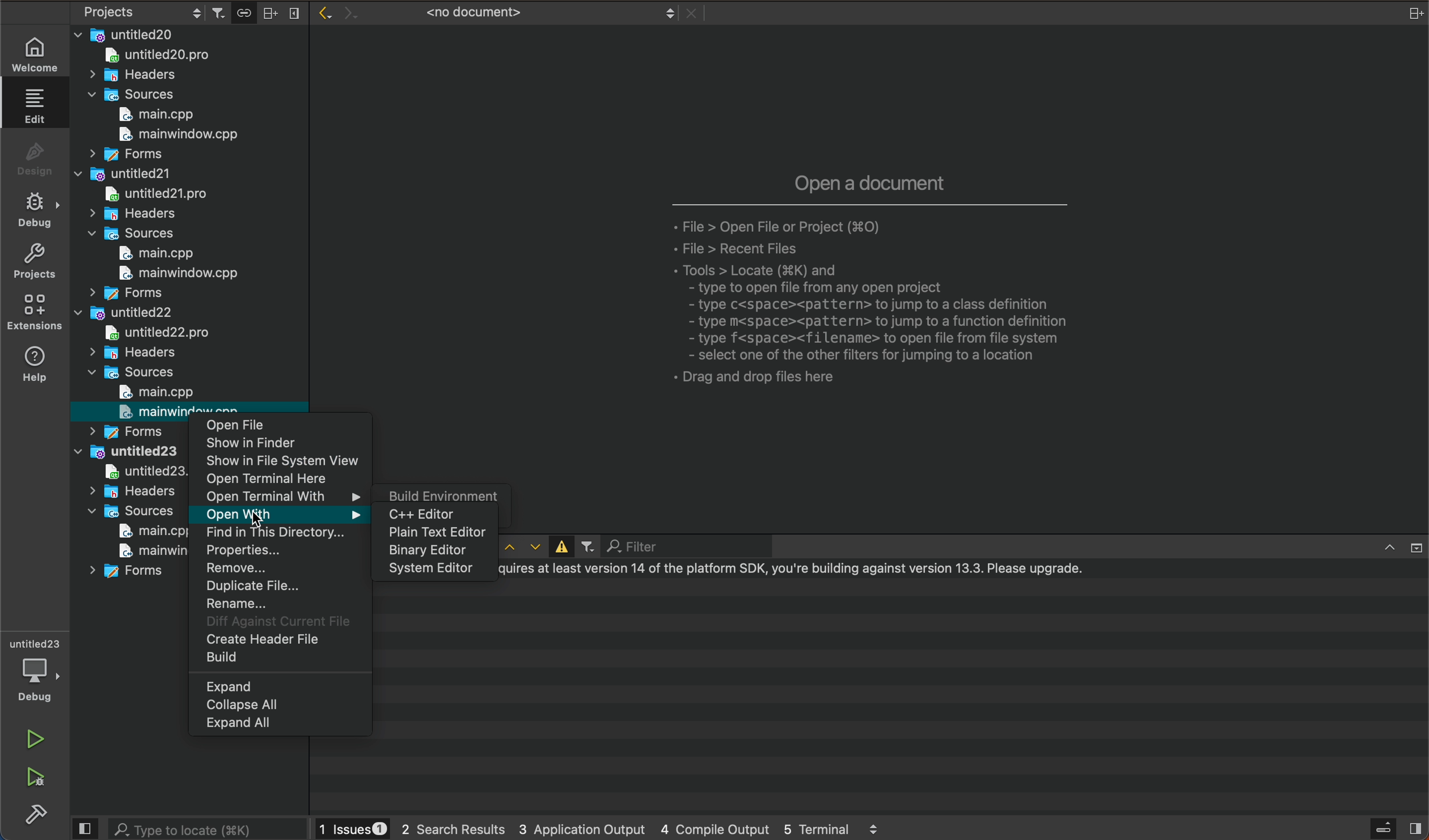 The width and height of the screenshot is (1429, 840). I want to click on debug, so click(34, 668).